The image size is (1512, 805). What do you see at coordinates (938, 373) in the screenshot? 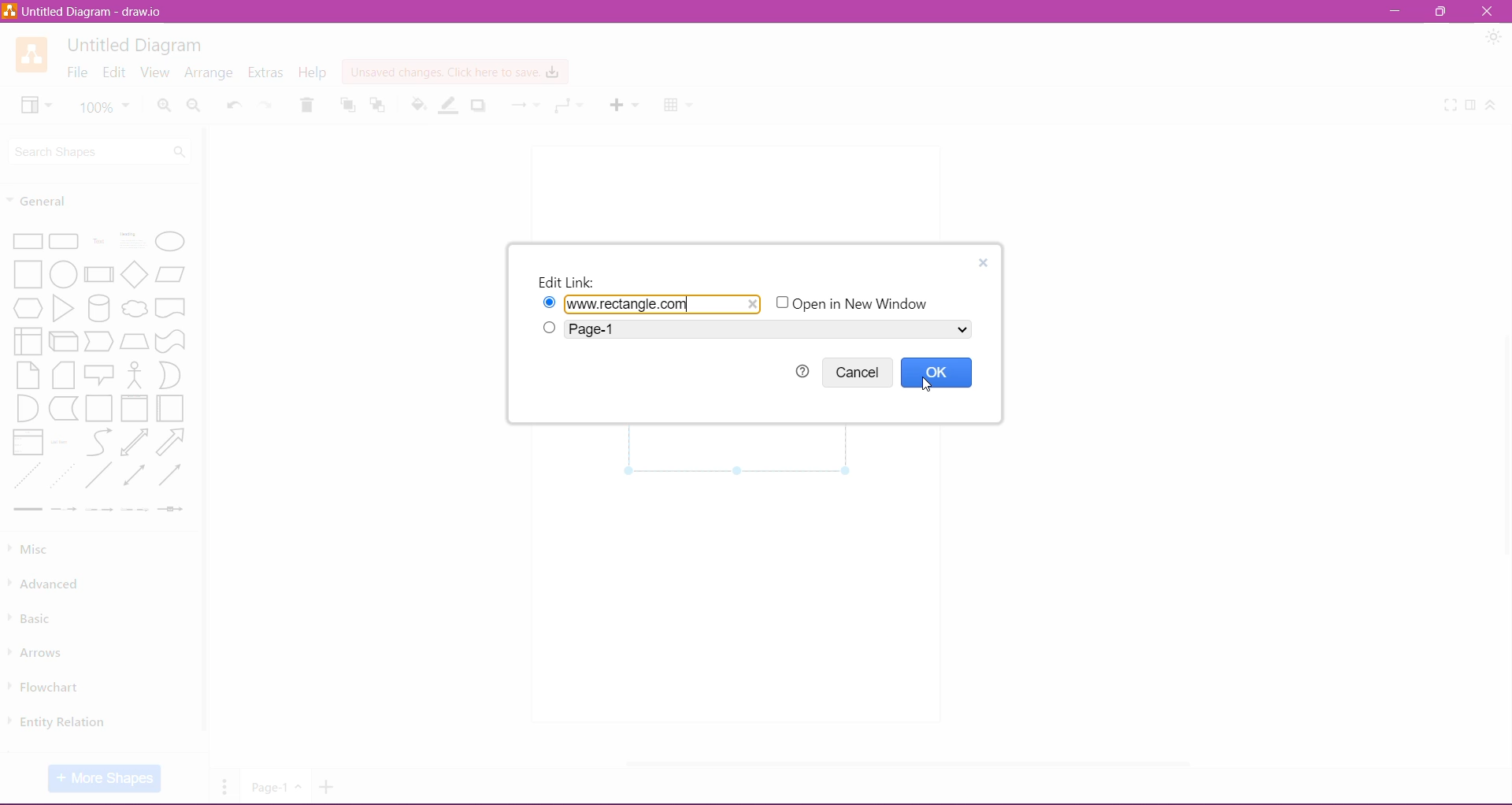
I see `OK` at bounding box center [938, 373].